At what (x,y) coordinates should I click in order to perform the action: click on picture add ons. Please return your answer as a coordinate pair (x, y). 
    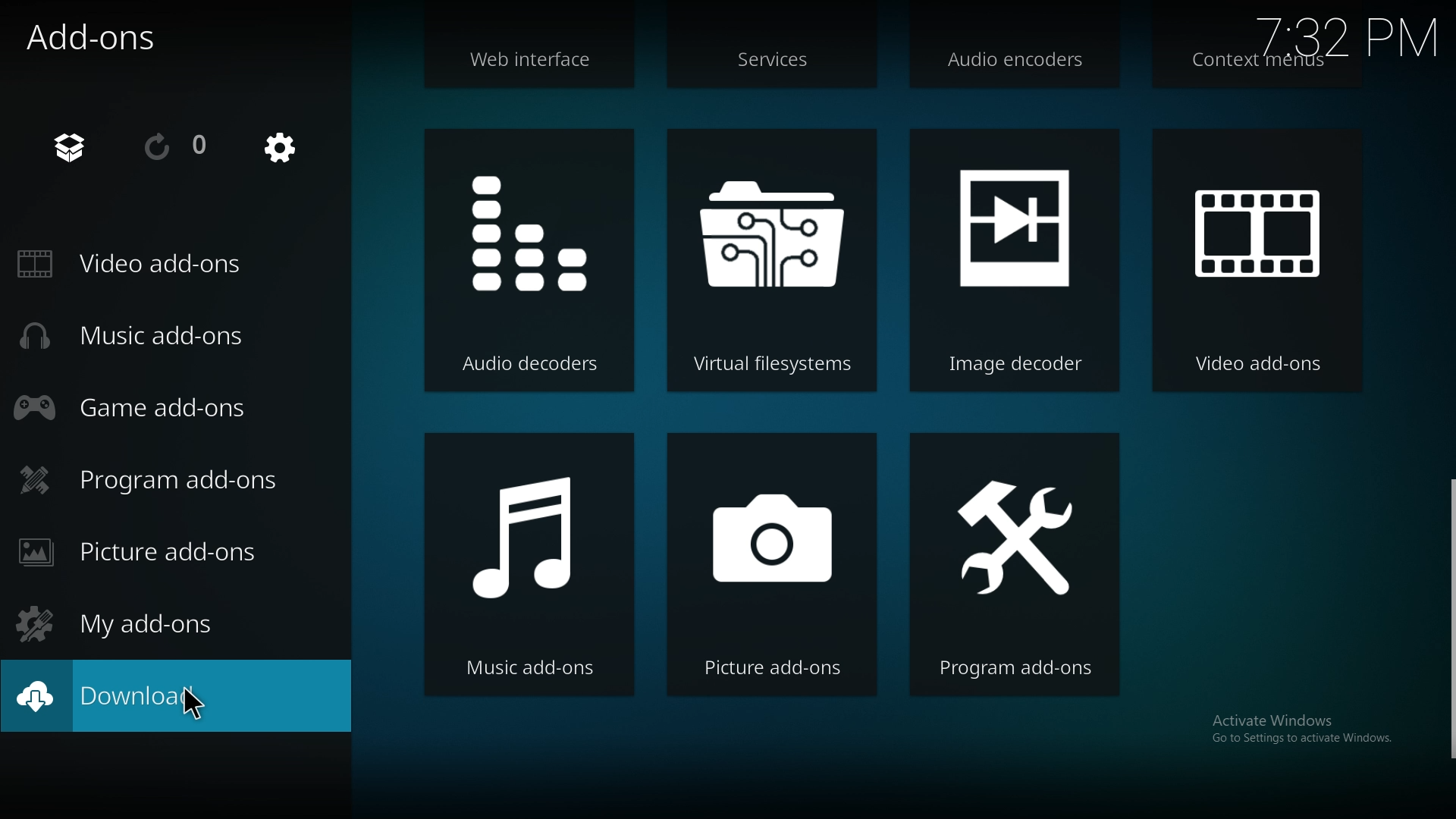
    Looking at the image, I should click on (773, 566).